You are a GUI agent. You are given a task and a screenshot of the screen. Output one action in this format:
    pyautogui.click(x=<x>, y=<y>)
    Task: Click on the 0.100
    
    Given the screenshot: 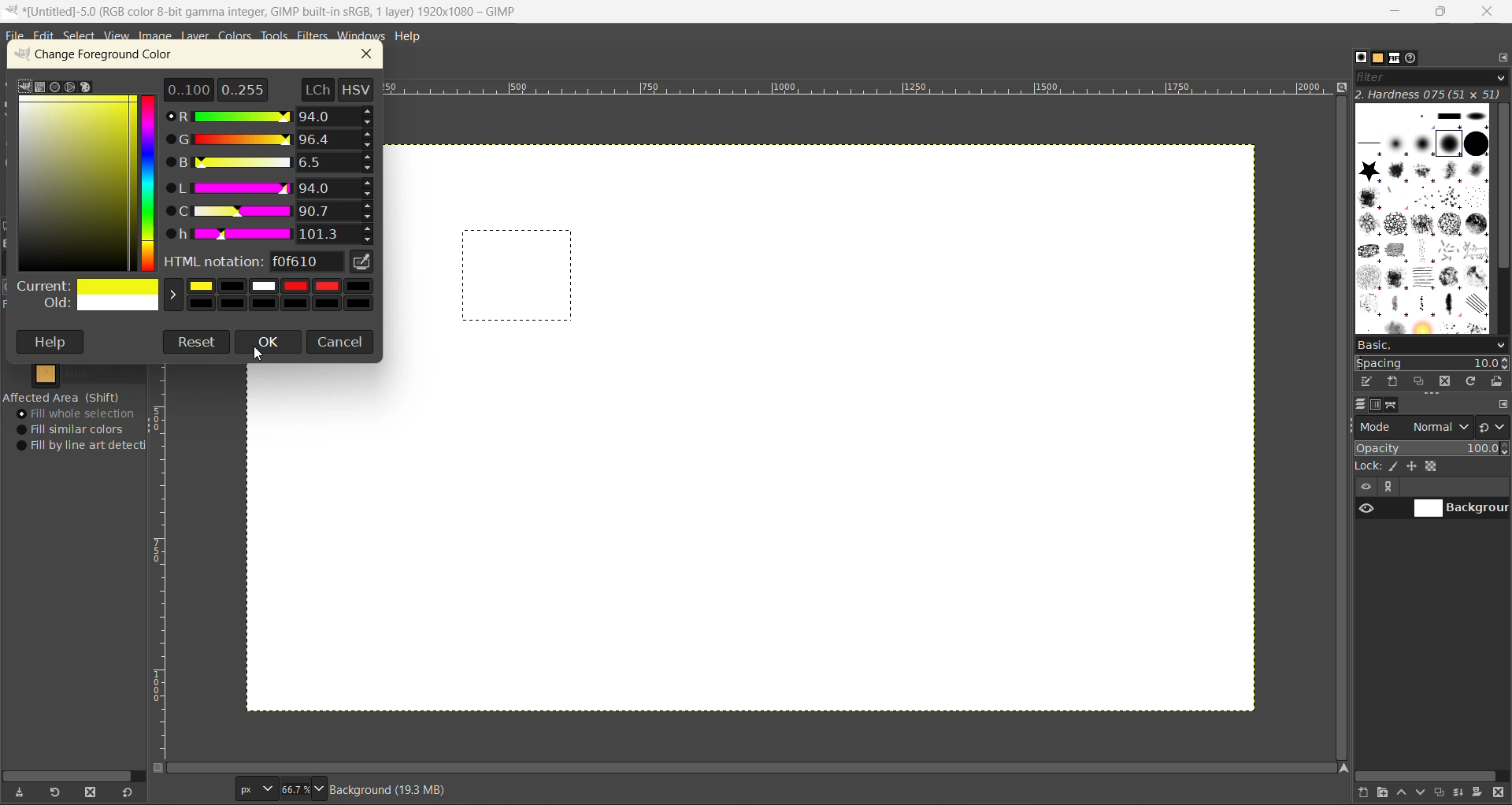 What is the action you would take?
    pyautogui.click(x=189, y=88)
    